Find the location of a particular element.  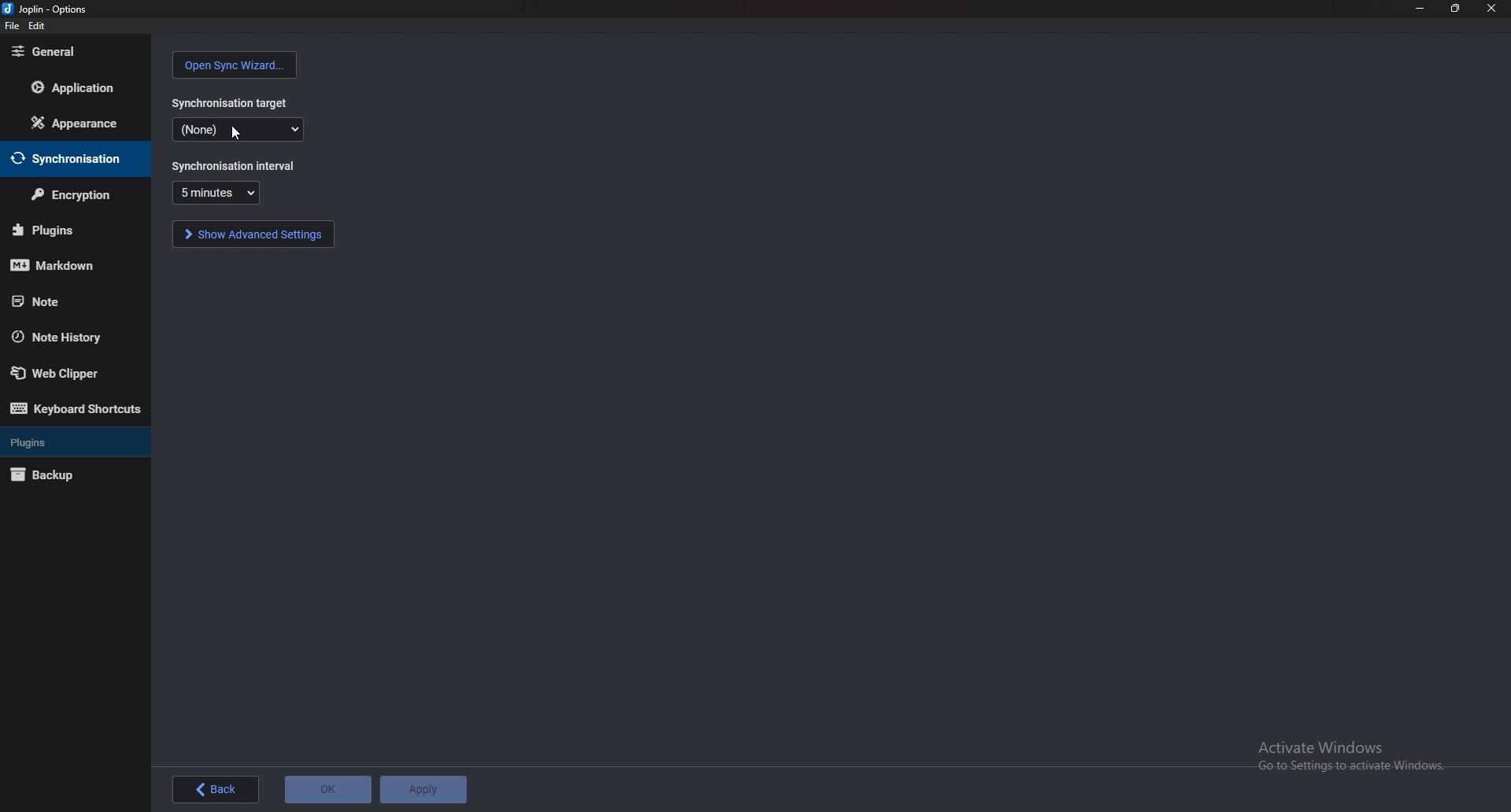

Plugins is located at coordinates (68, 231).